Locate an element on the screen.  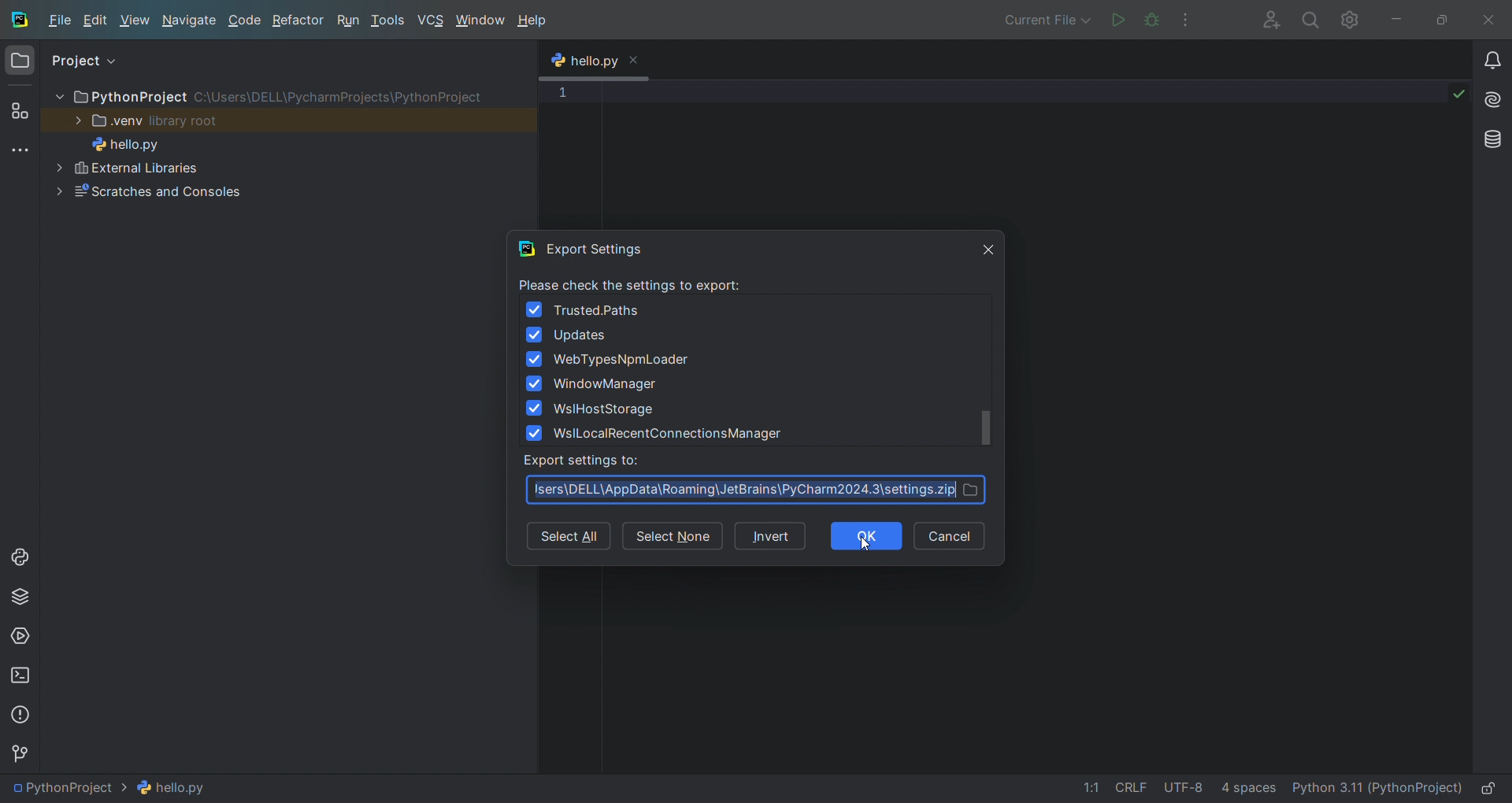
hello.py is located at coordinates (139, 142).